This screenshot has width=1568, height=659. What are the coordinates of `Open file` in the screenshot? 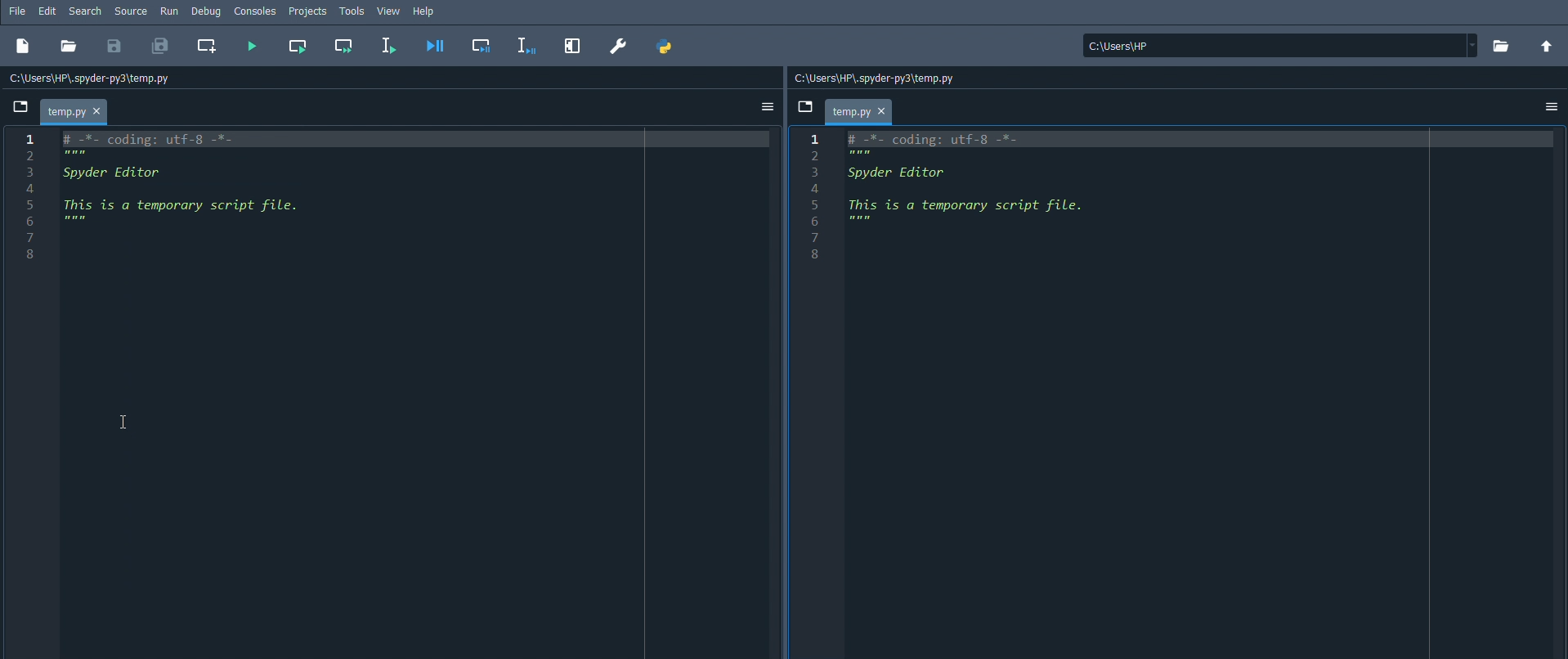 It's located at (67, 47).